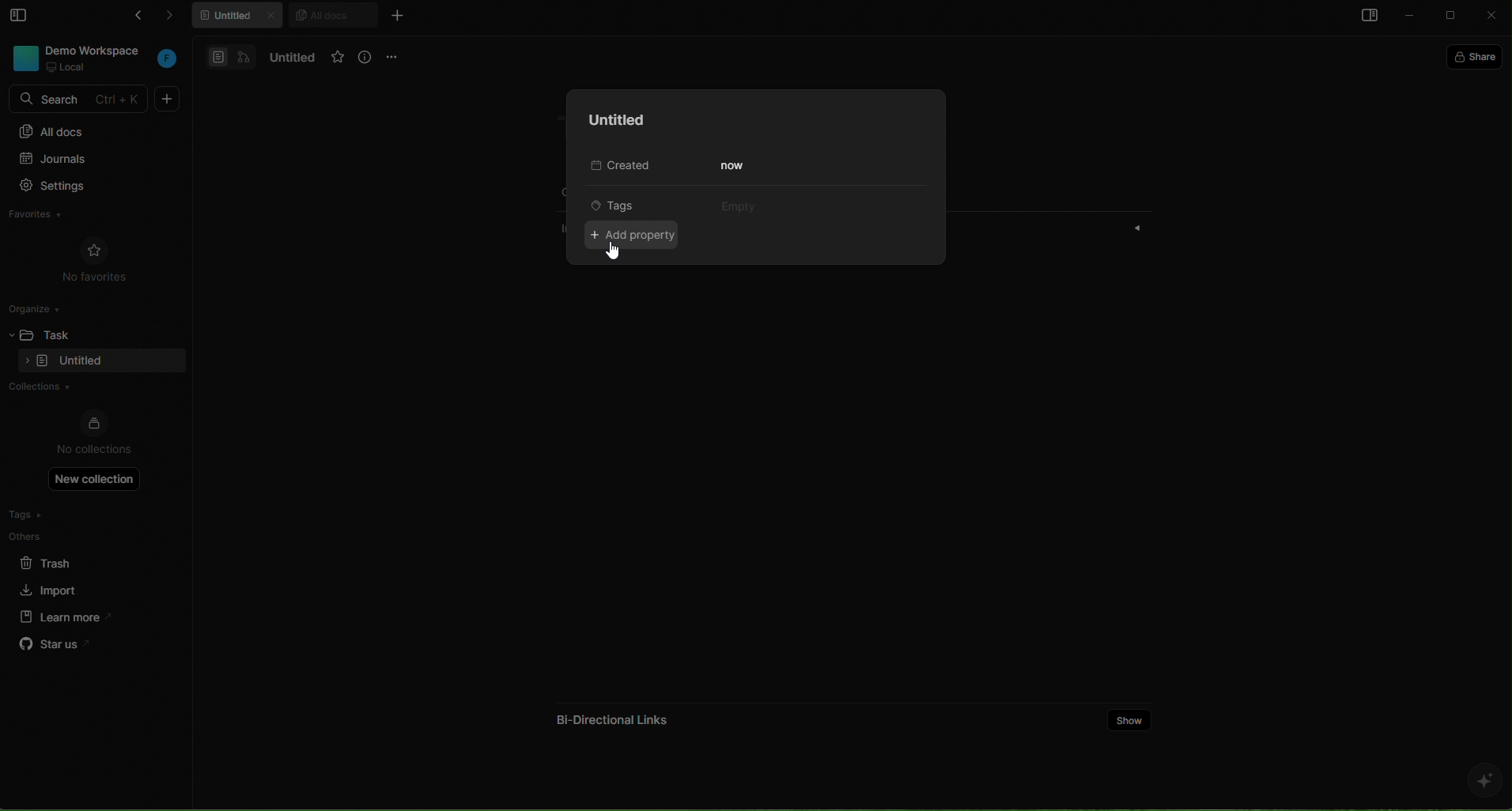 Image resolution: width=1512 pixels, height=811 pixels. I want to click on collections, so click(89, 388).